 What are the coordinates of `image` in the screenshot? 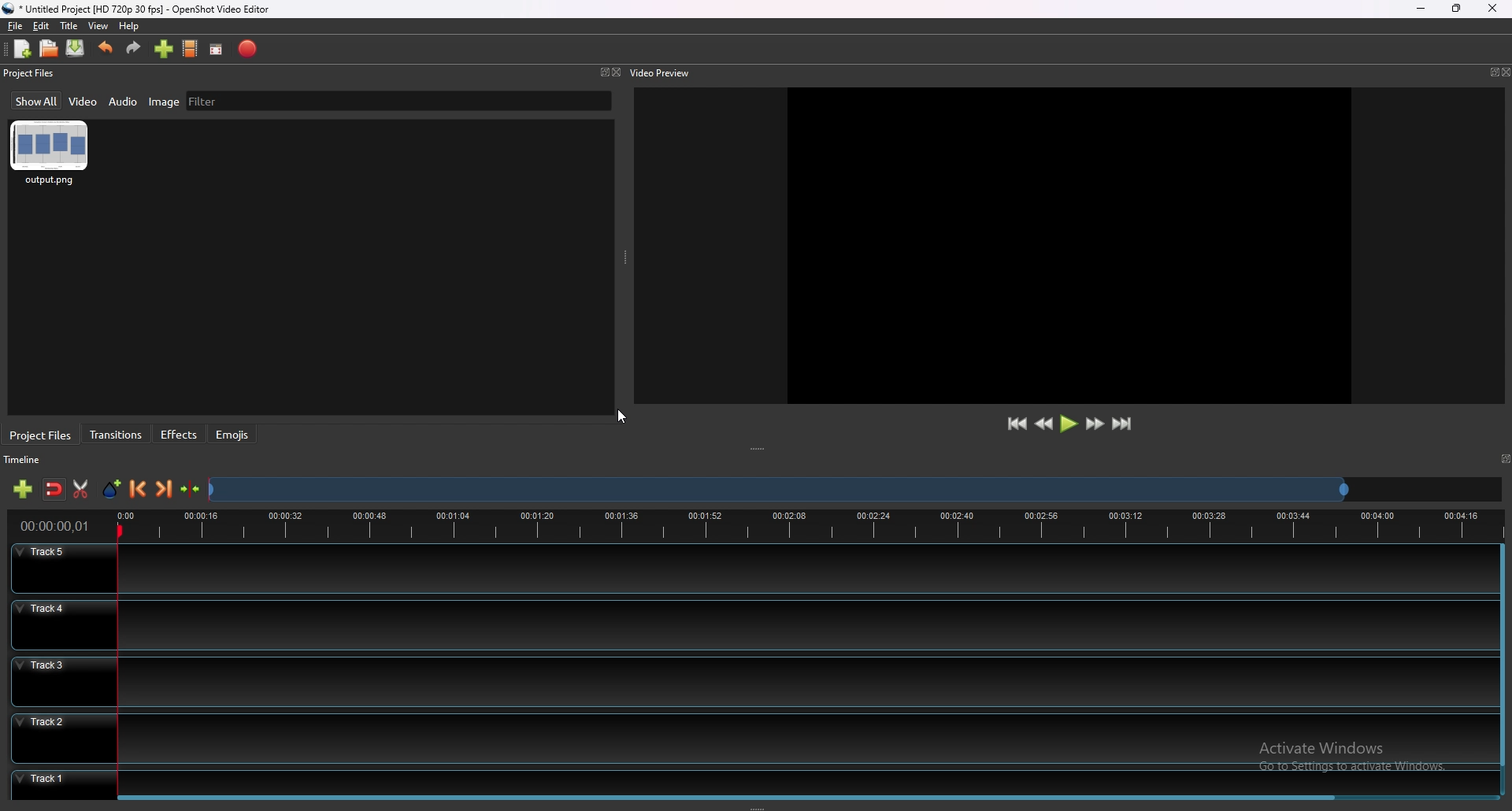 It's located at (164, 101).